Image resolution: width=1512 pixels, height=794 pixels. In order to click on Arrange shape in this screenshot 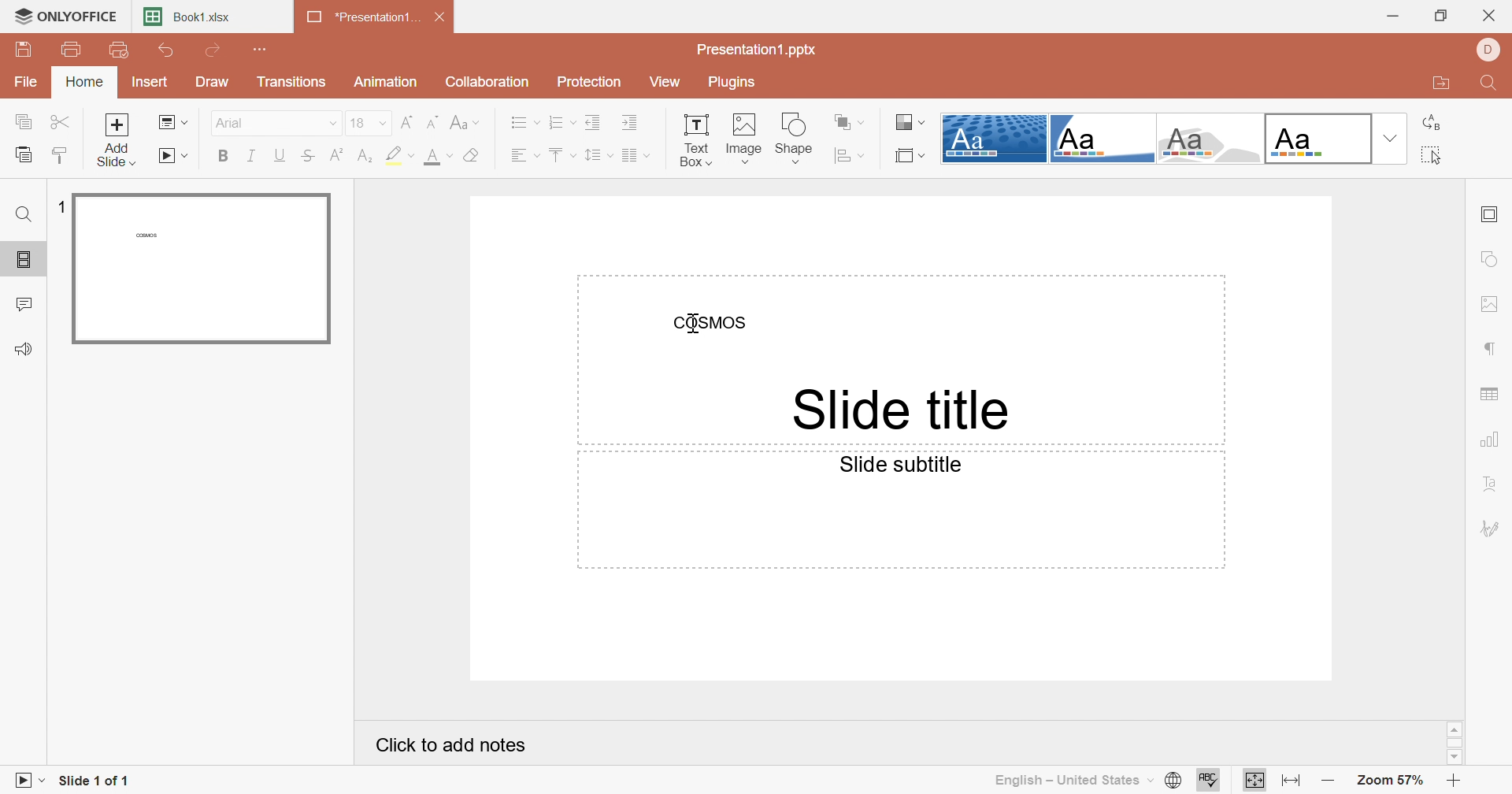, I will do `click(855, 125)`.